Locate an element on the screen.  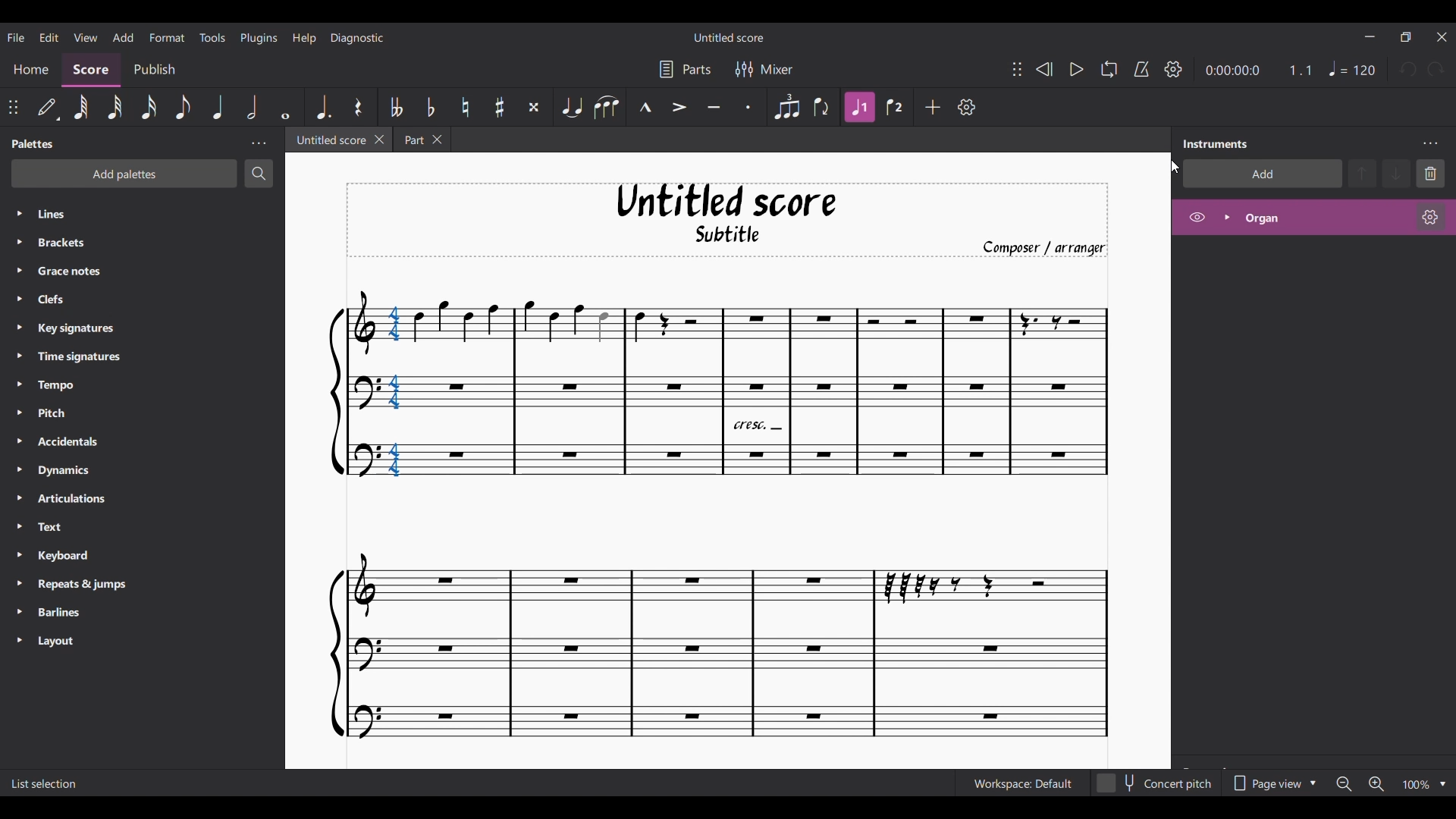
Tools menu is located at coordinates (212, 37).